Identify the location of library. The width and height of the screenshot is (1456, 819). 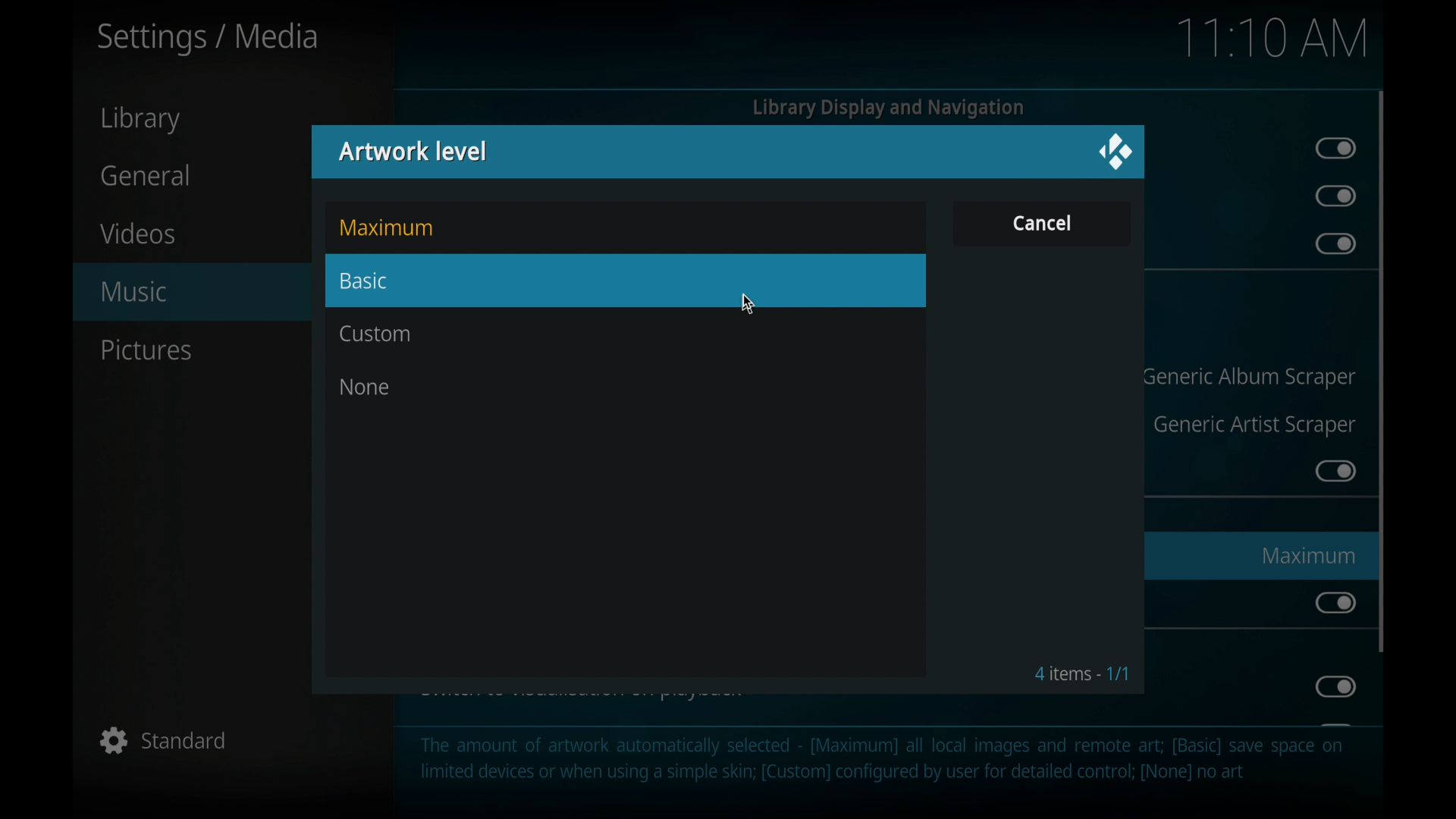
(143, 120).